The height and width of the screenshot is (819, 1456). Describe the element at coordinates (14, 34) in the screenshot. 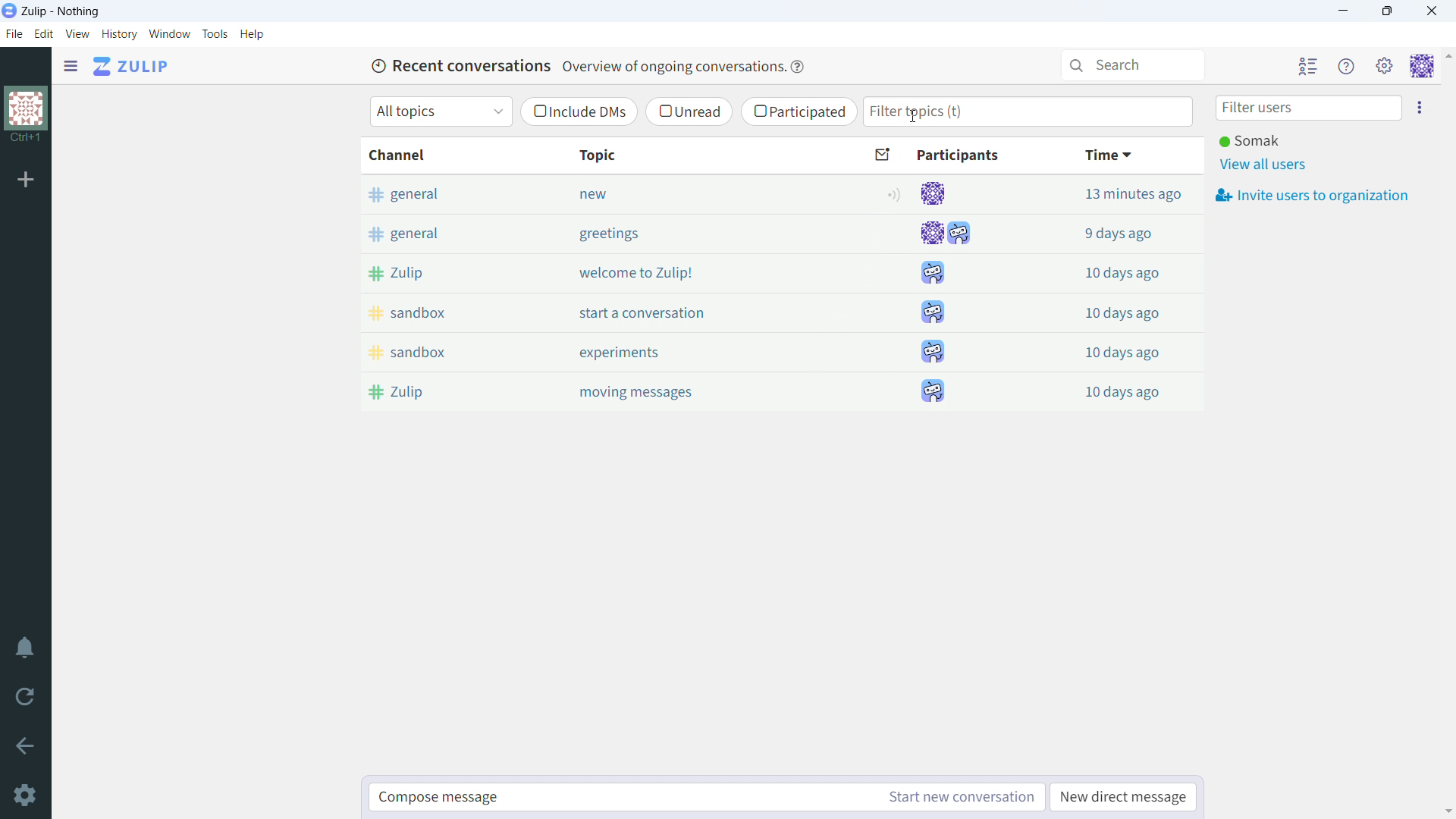

I see `file` at that location.